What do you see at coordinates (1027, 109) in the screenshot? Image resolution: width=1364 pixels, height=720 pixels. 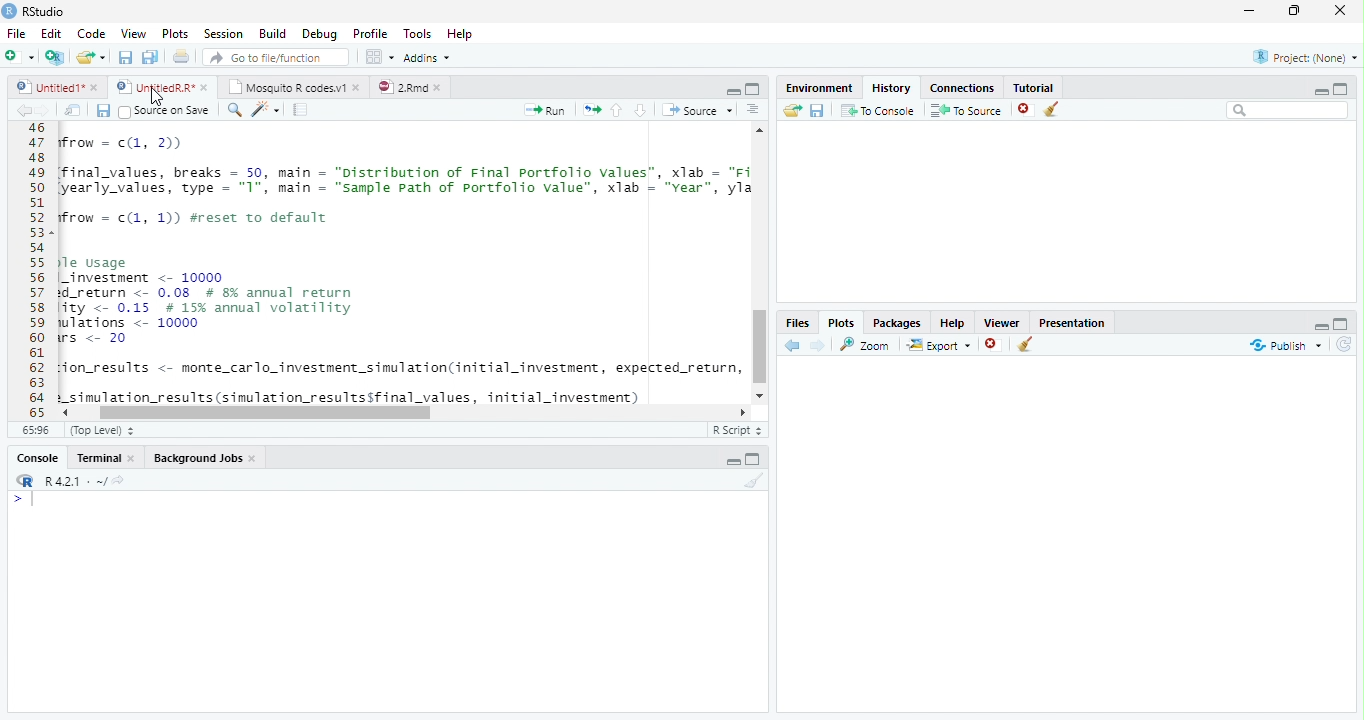 I see `Remove Selected` at bounding box center [1027, 109].